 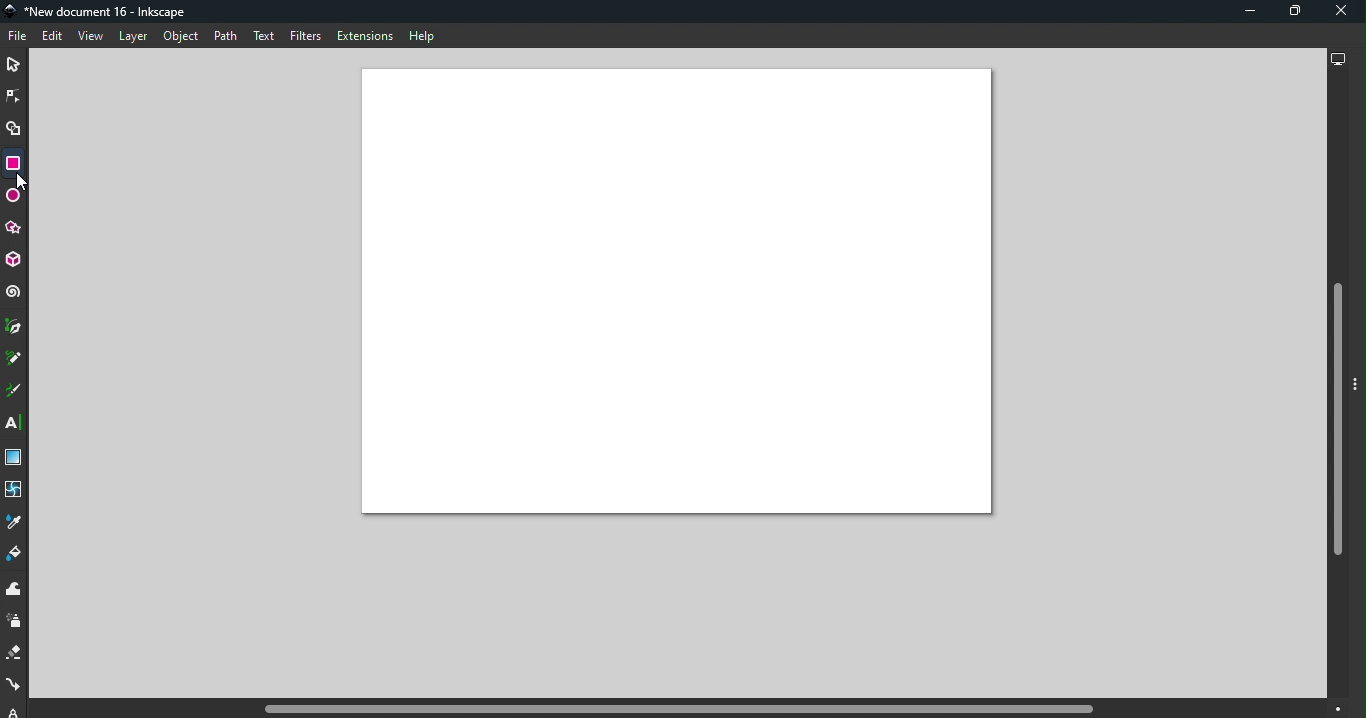 I want to click on Close, so click(x=1342, y=11).